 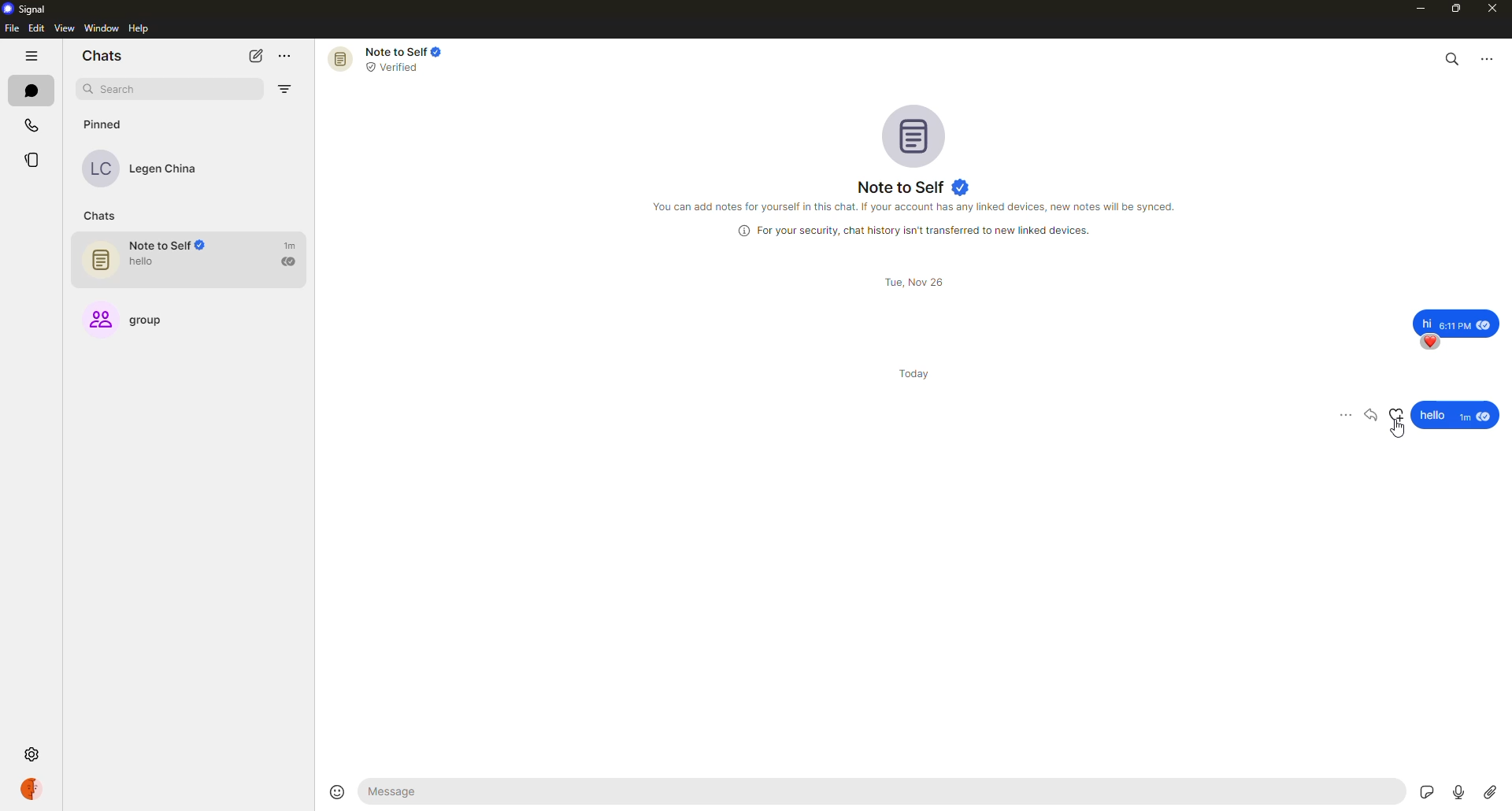 I want to click on love reaction, so click(x=1430, y=342).